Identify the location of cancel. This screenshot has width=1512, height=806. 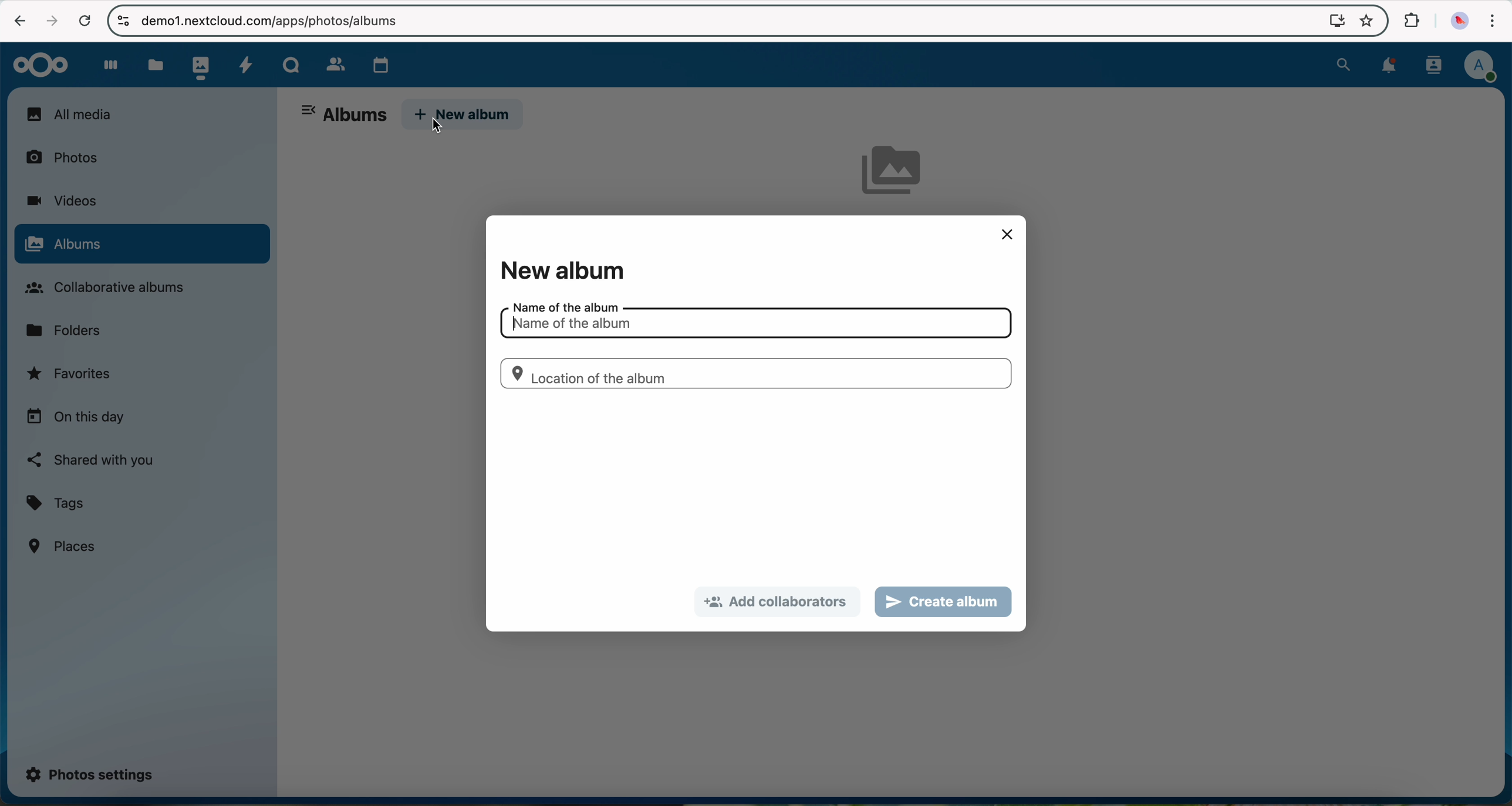
(85, 22).